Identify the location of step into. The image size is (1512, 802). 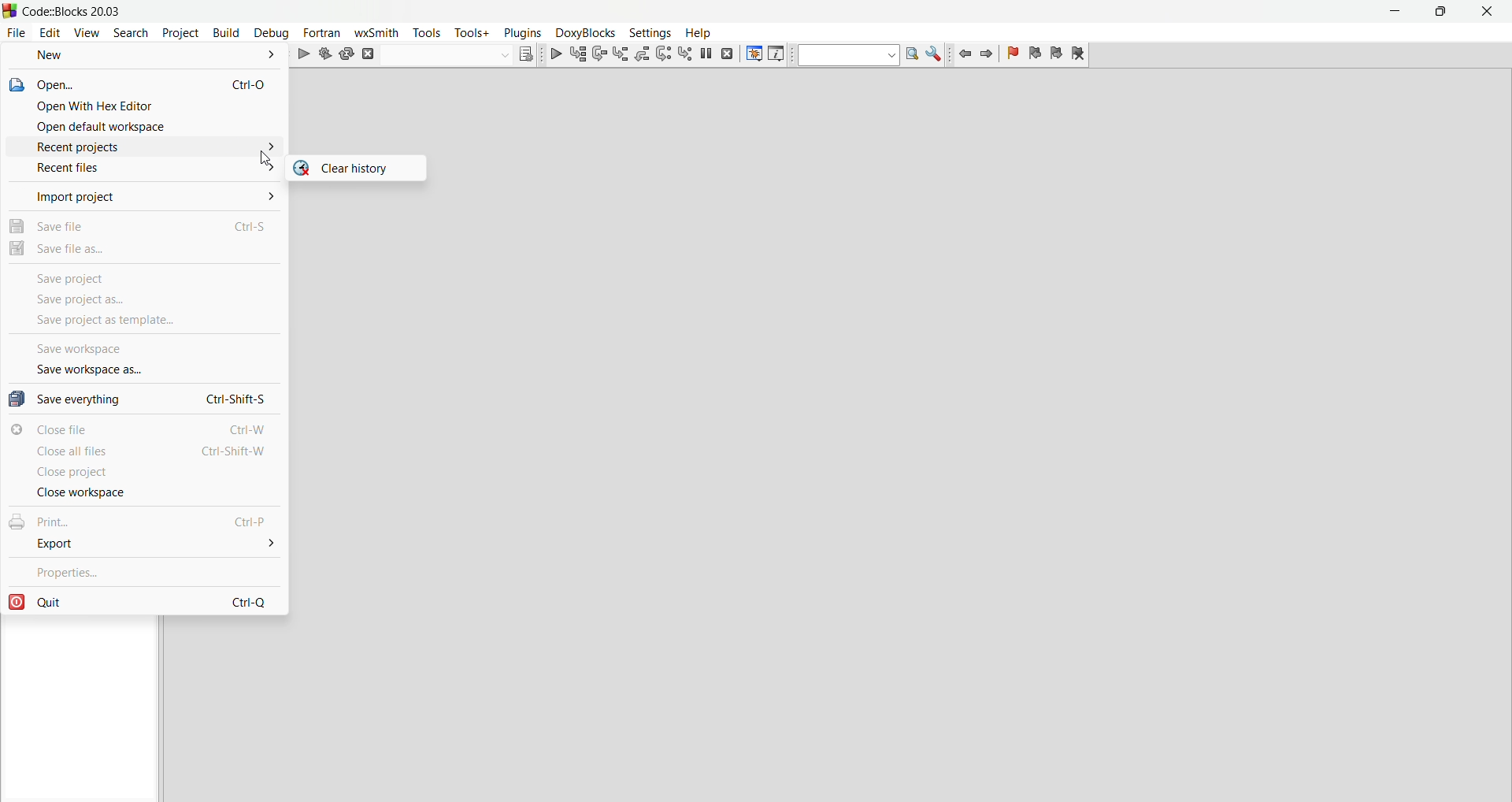
(622, 55).